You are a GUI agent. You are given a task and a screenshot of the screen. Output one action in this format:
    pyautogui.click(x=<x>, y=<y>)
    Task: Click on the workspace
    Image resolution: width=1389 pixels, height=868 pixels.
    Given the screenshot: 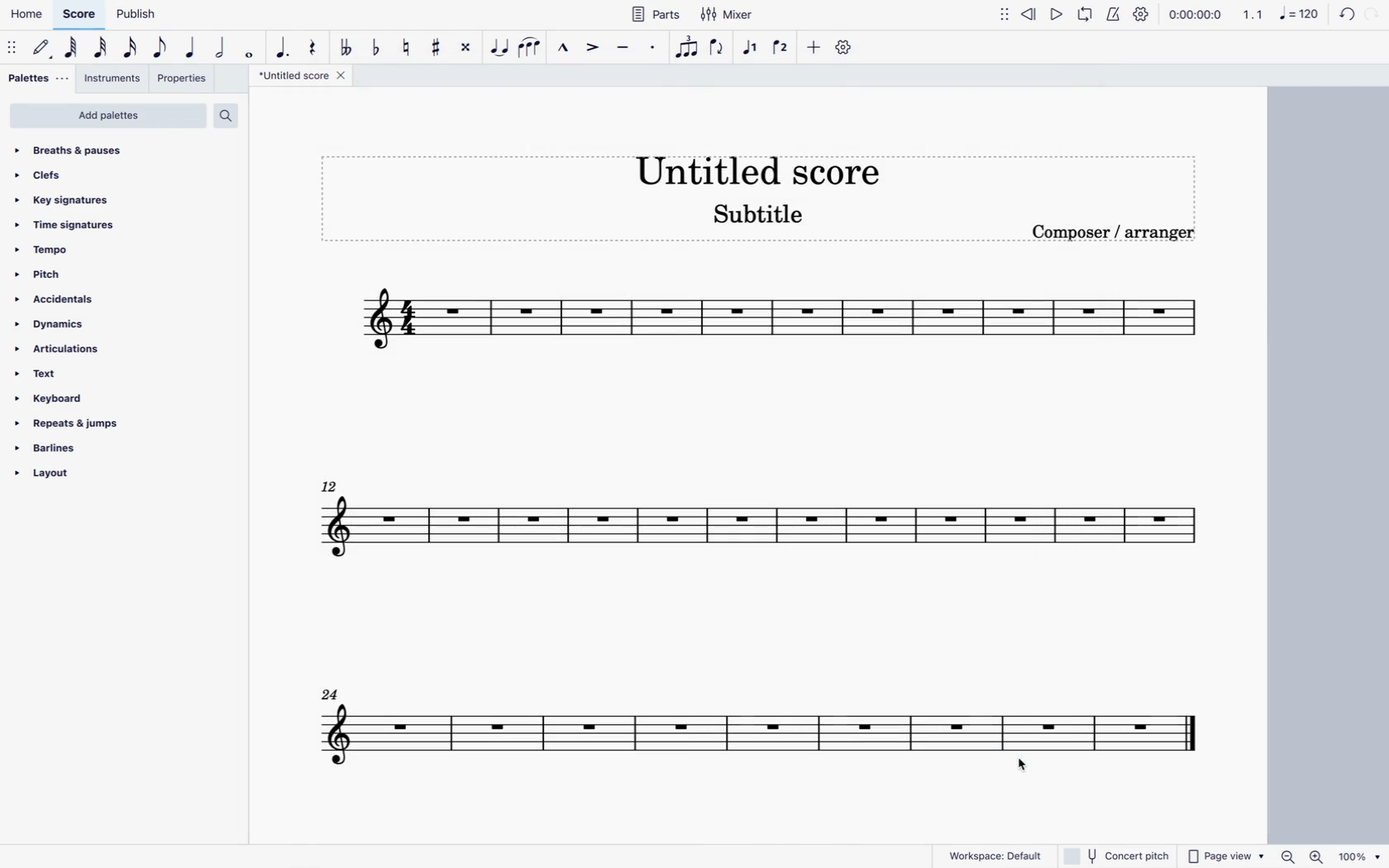 What is the action you would take?
    pyautogui.click(x=998, y=856)
    